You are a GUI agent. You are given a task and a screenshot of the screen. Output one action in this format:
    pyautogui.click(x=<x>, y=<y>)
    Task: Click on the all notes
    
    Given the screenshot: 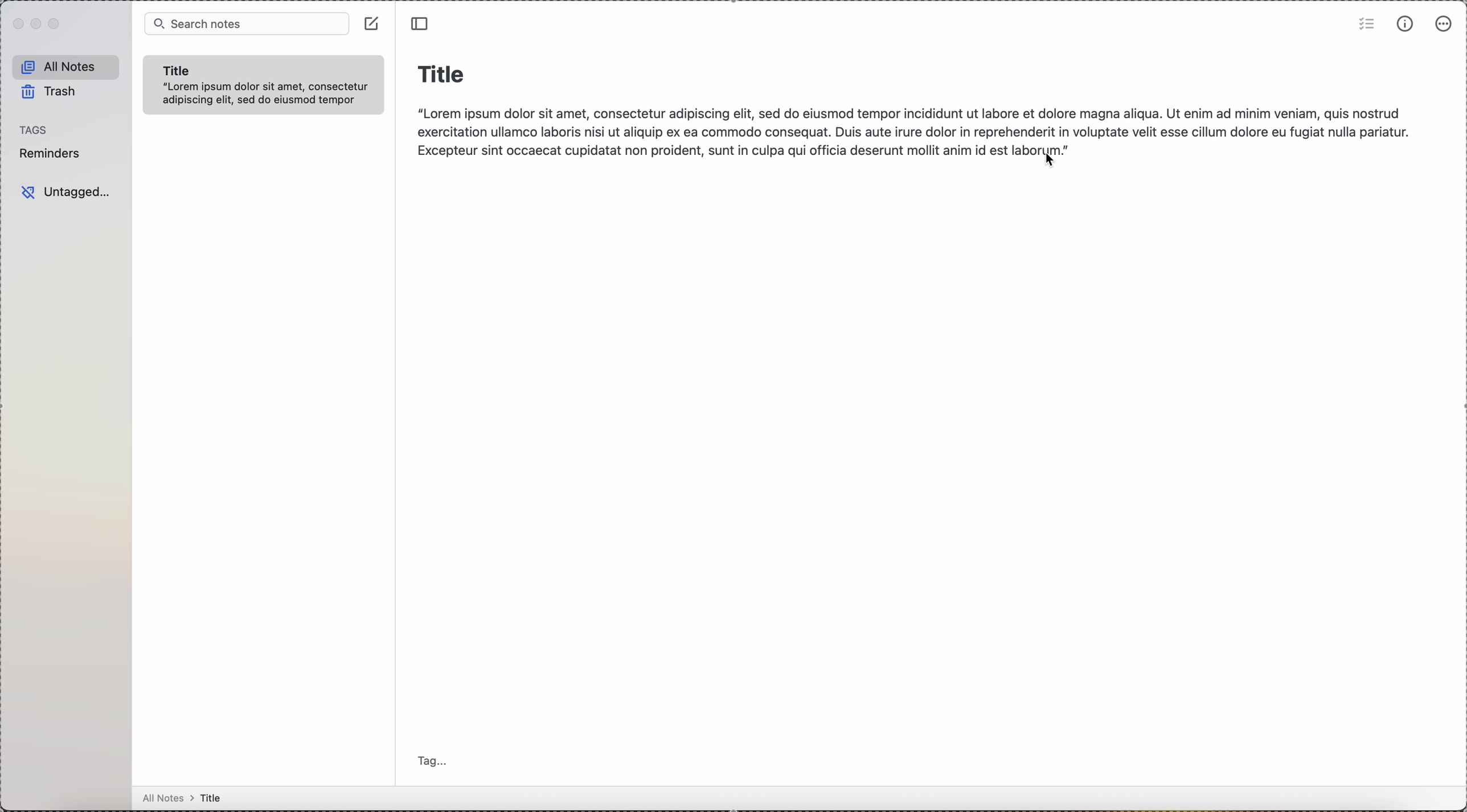 What is the action you would take?
    pyautogui.click(x=67, y=65)
    